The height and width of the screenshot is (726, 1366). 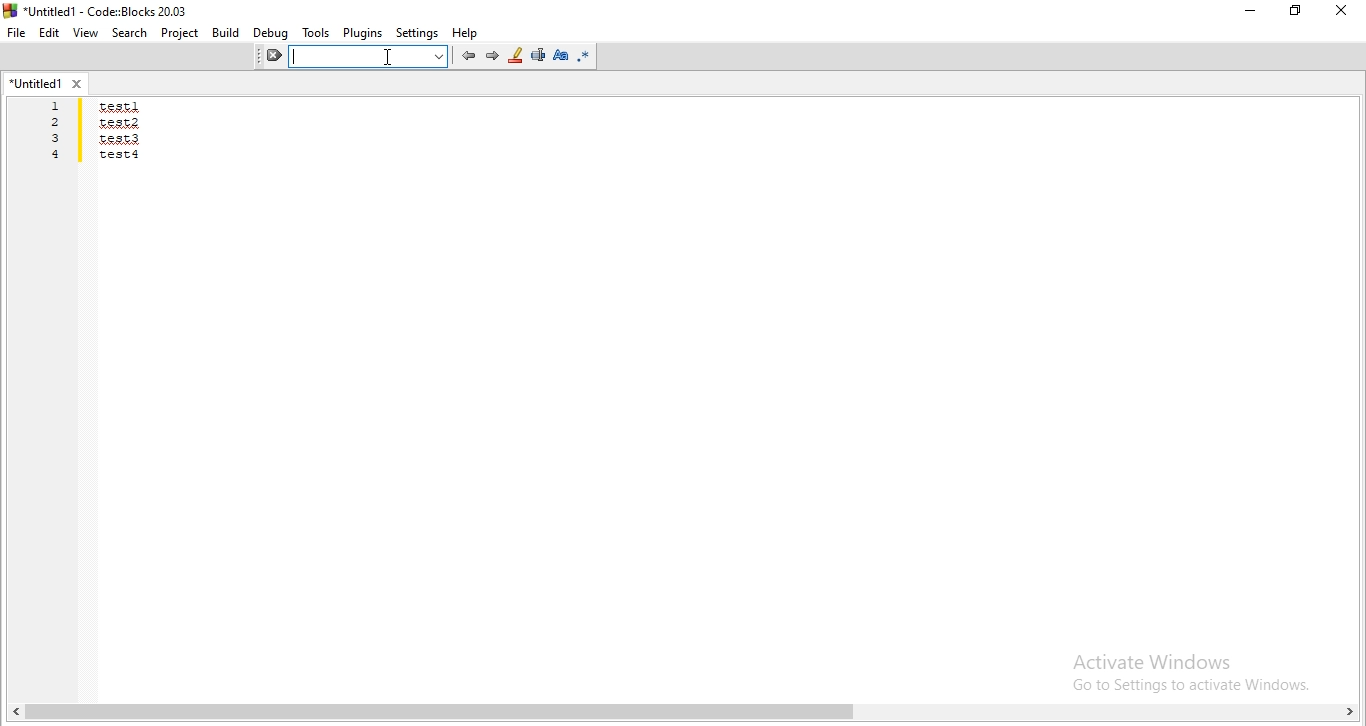 I want to click on previous, so click(x=466, y=56).